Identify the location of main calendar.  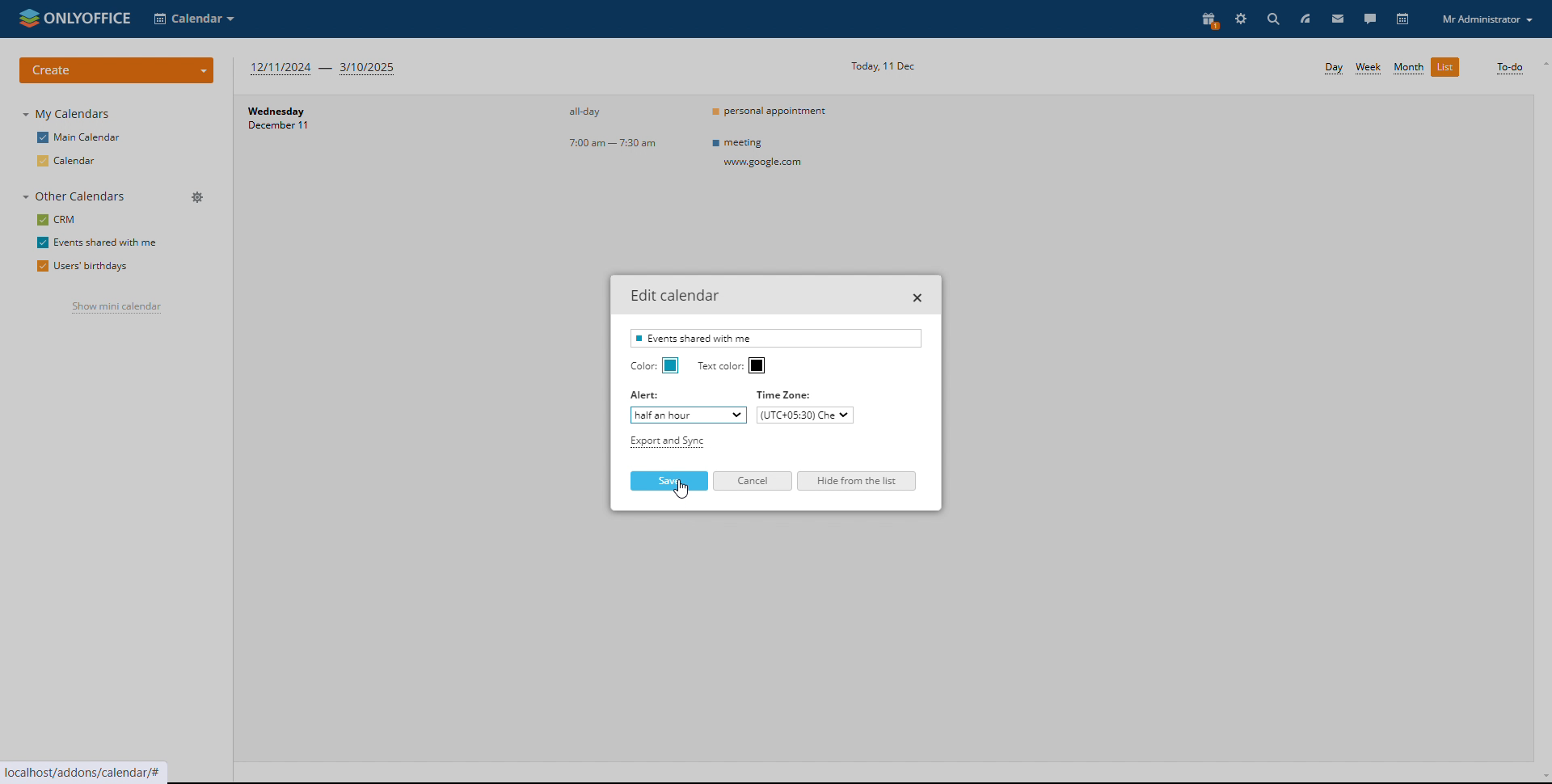
(78, 138).